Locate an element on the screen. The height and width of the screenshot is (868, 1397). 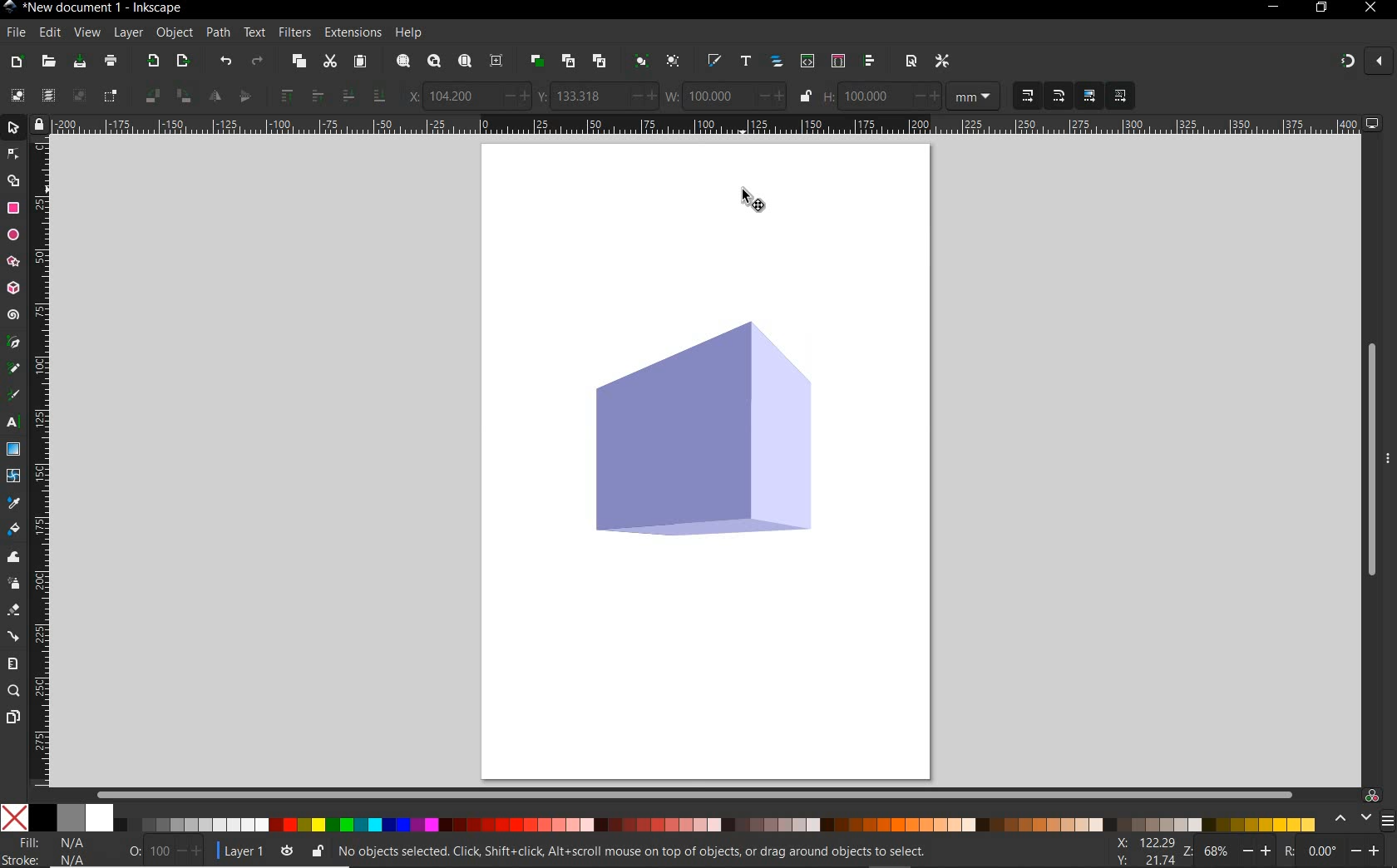
shape is located at coordinates (708, 433).